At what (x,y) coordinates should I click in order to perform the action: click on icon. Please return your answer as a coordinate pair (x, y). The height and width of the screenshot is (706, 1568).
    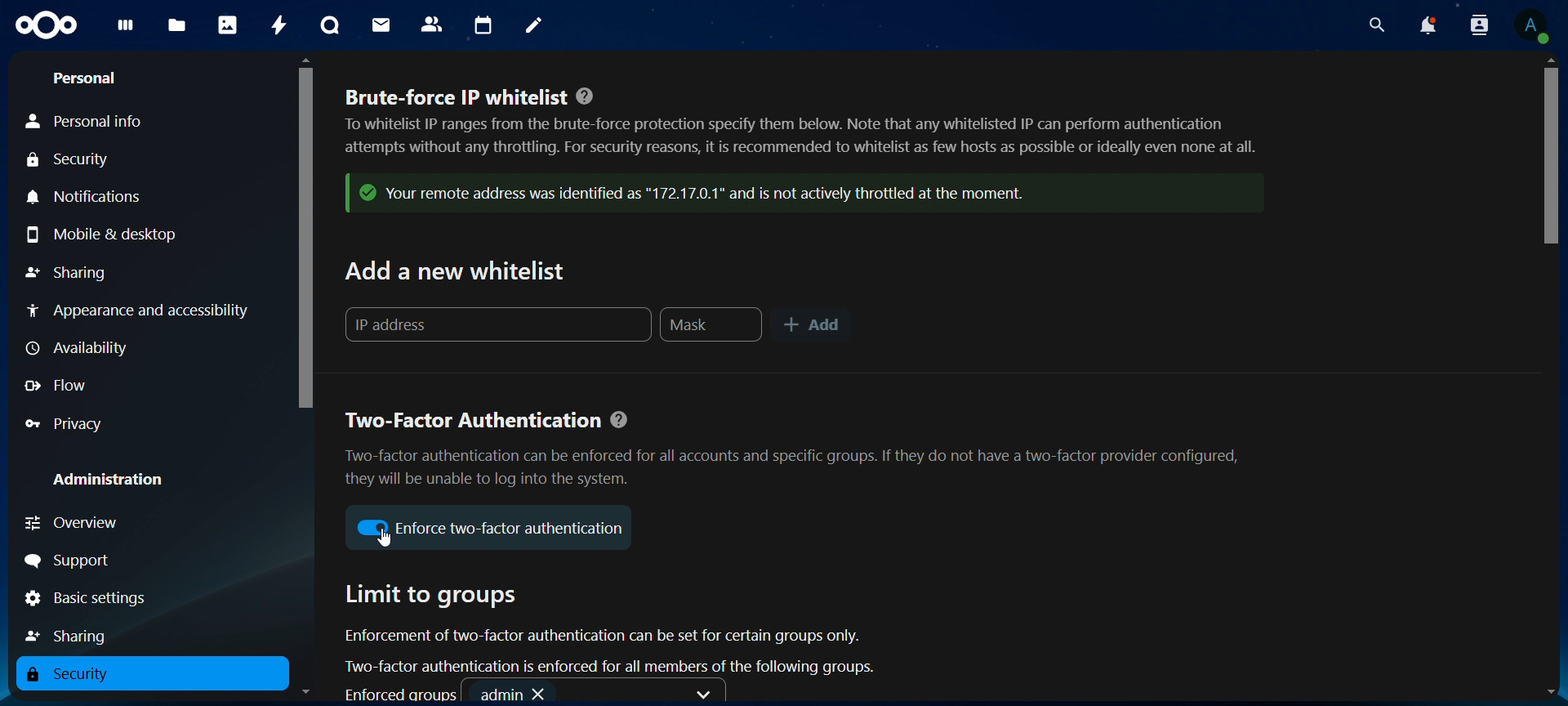
    Looking at the image, I should click on (373, 529).